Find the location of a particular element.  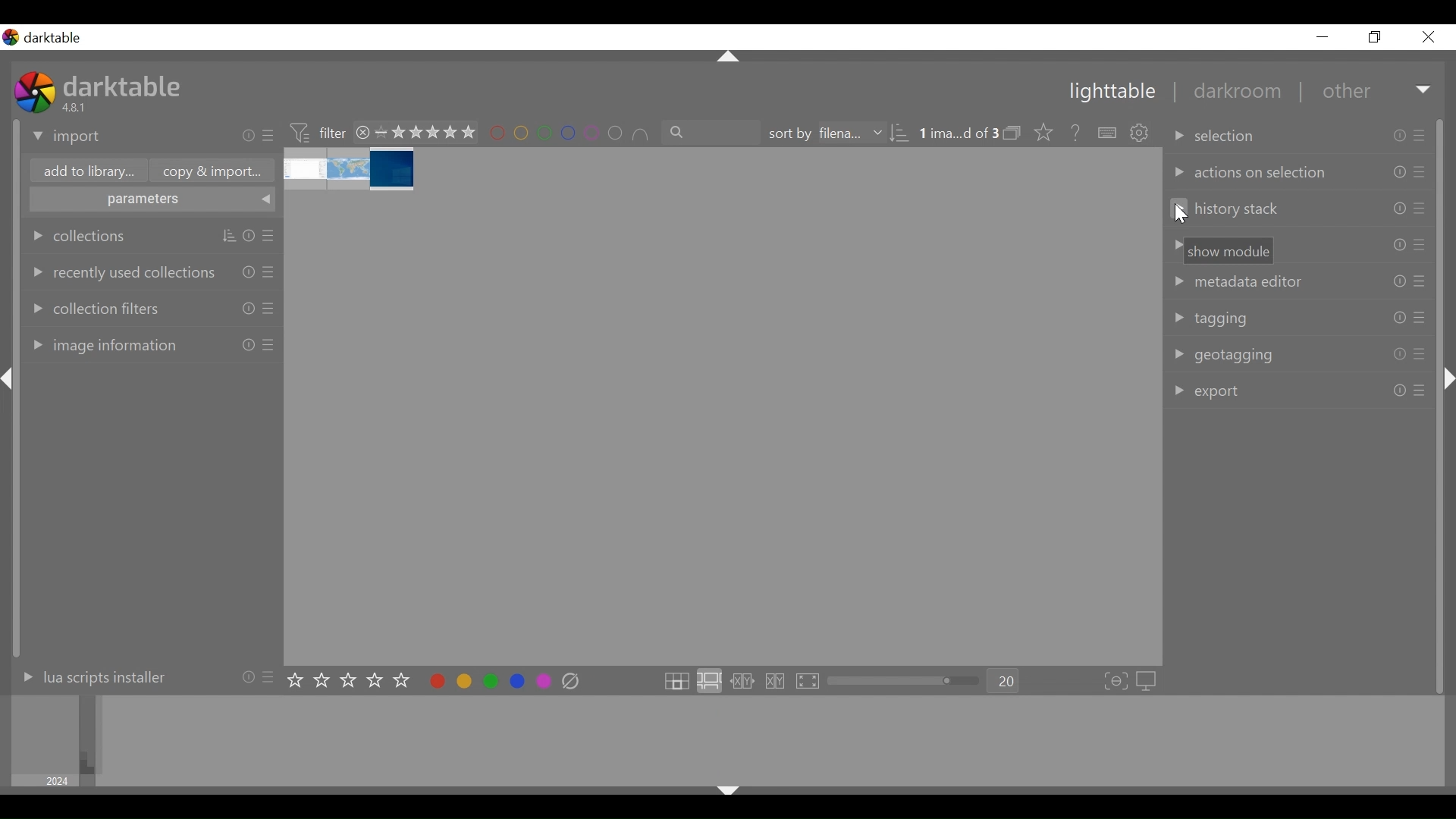

selection is located at coordinates (1216, 136).